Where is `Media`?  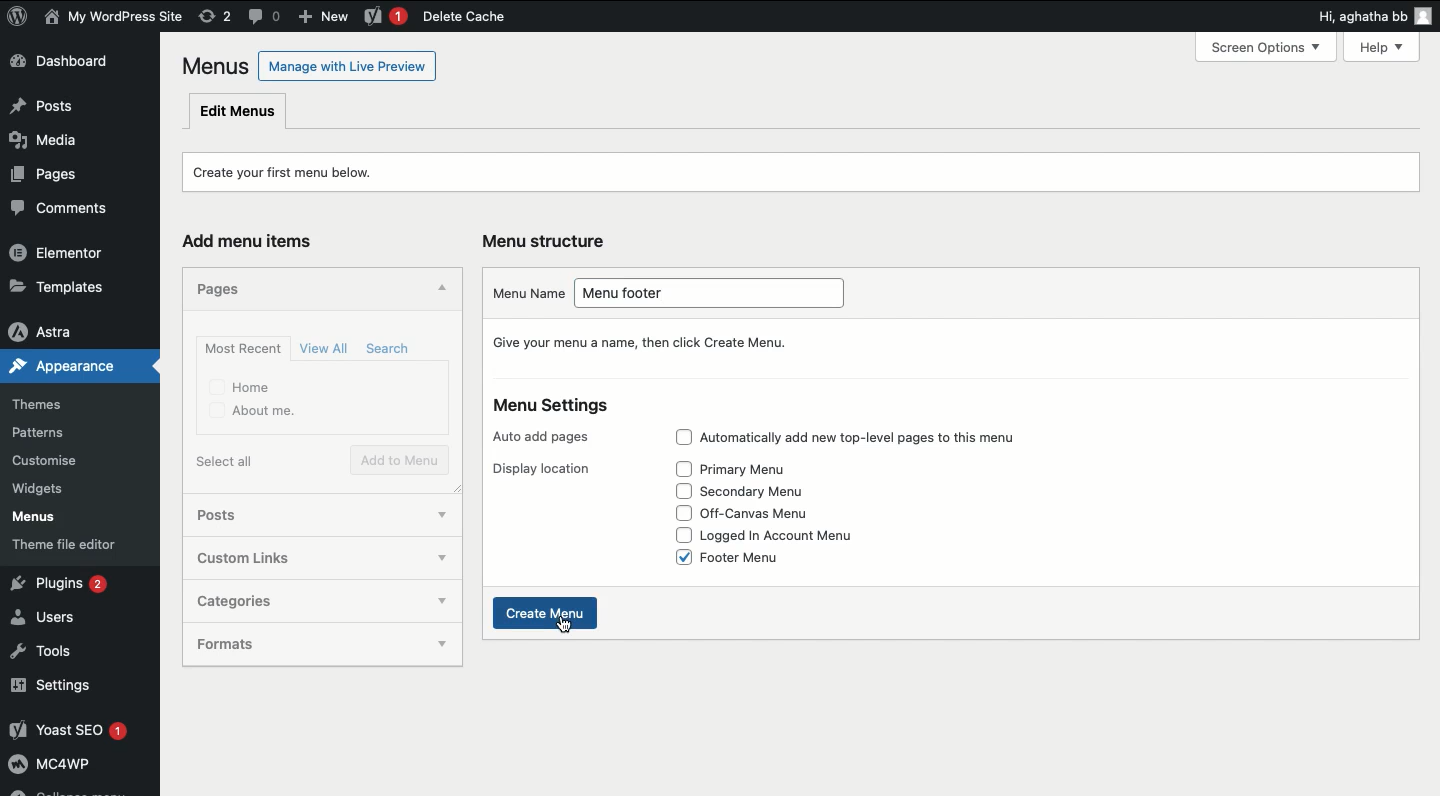 Media is located at coordinates (54, 145).